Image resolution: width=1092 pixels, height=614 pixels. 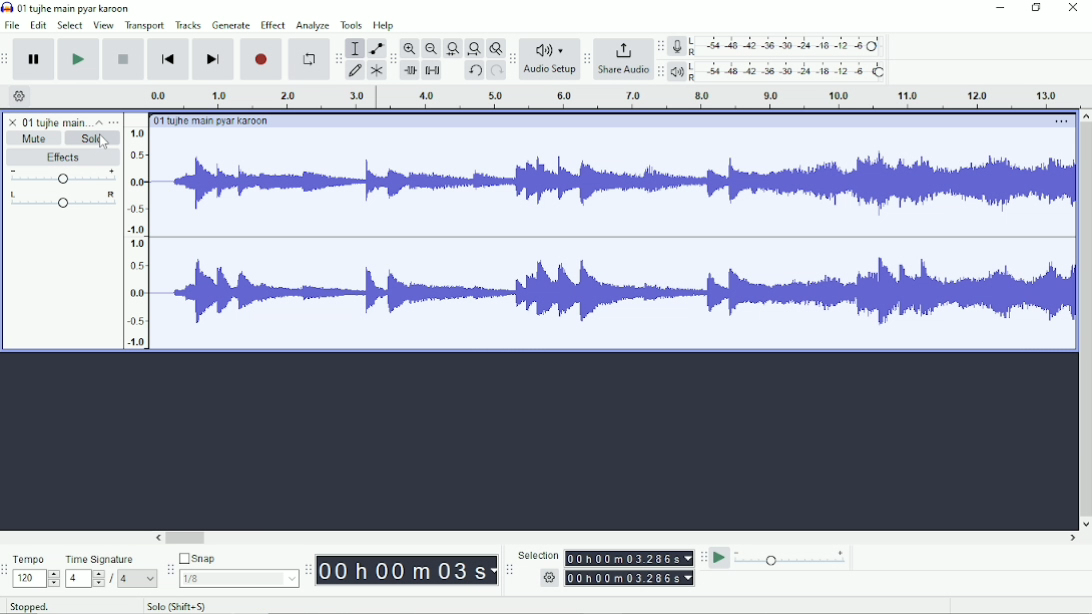 What do you see at coordinates (375, 49) in the screenshot?
I see `Envelope tool` at bounding box center [375, 49].